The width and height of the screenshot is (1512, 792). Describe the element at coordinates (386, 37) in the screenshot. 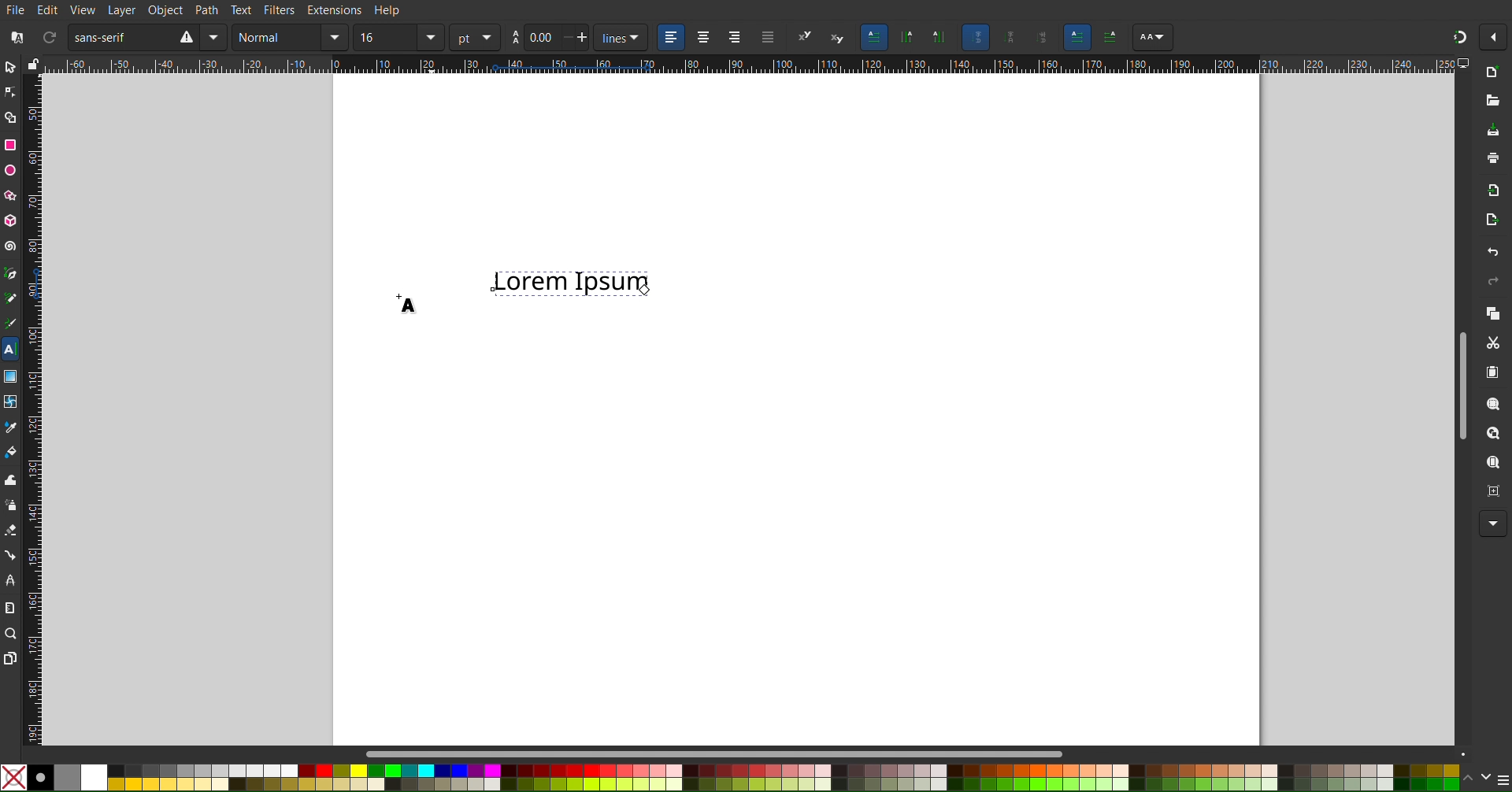

I see `size` at that location.